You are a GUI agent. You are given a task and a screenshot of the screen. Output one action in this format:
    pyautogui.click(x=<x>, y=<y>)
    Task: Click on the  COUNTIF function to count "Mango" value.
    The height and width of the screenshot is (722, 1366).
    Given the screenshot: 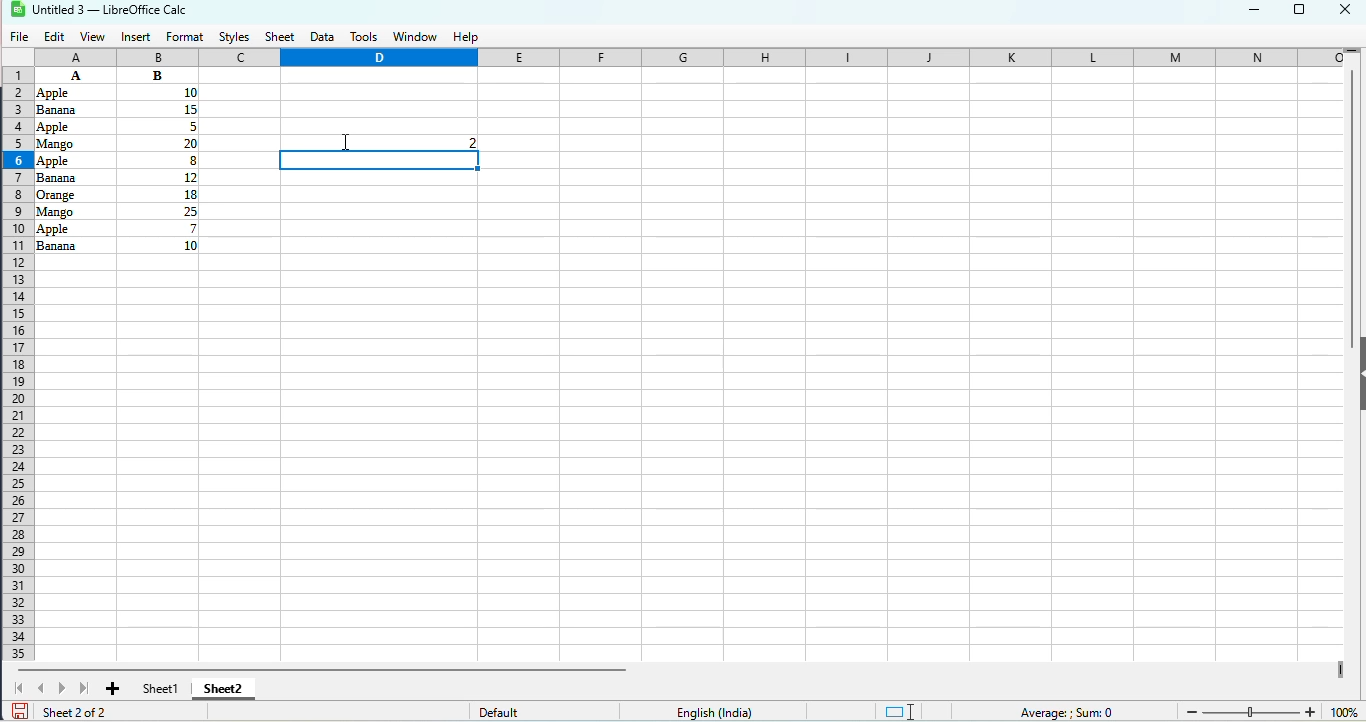 What is the action you would take?
    pyautogui.click(x=379, y=142)
    